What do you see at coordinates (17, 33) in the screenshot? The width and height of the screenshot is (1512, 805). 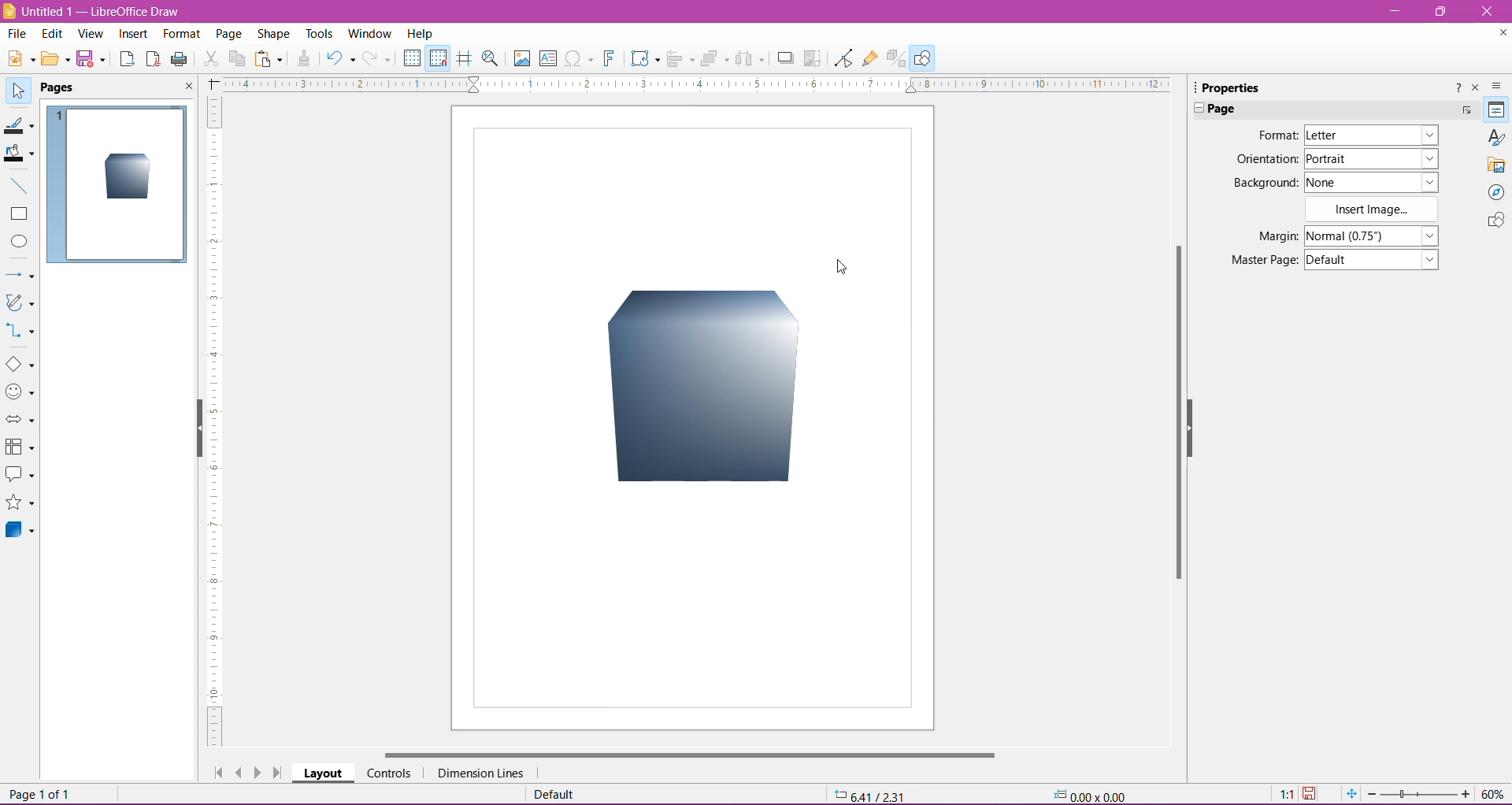 I see `File` at bounding box center [17, 33].